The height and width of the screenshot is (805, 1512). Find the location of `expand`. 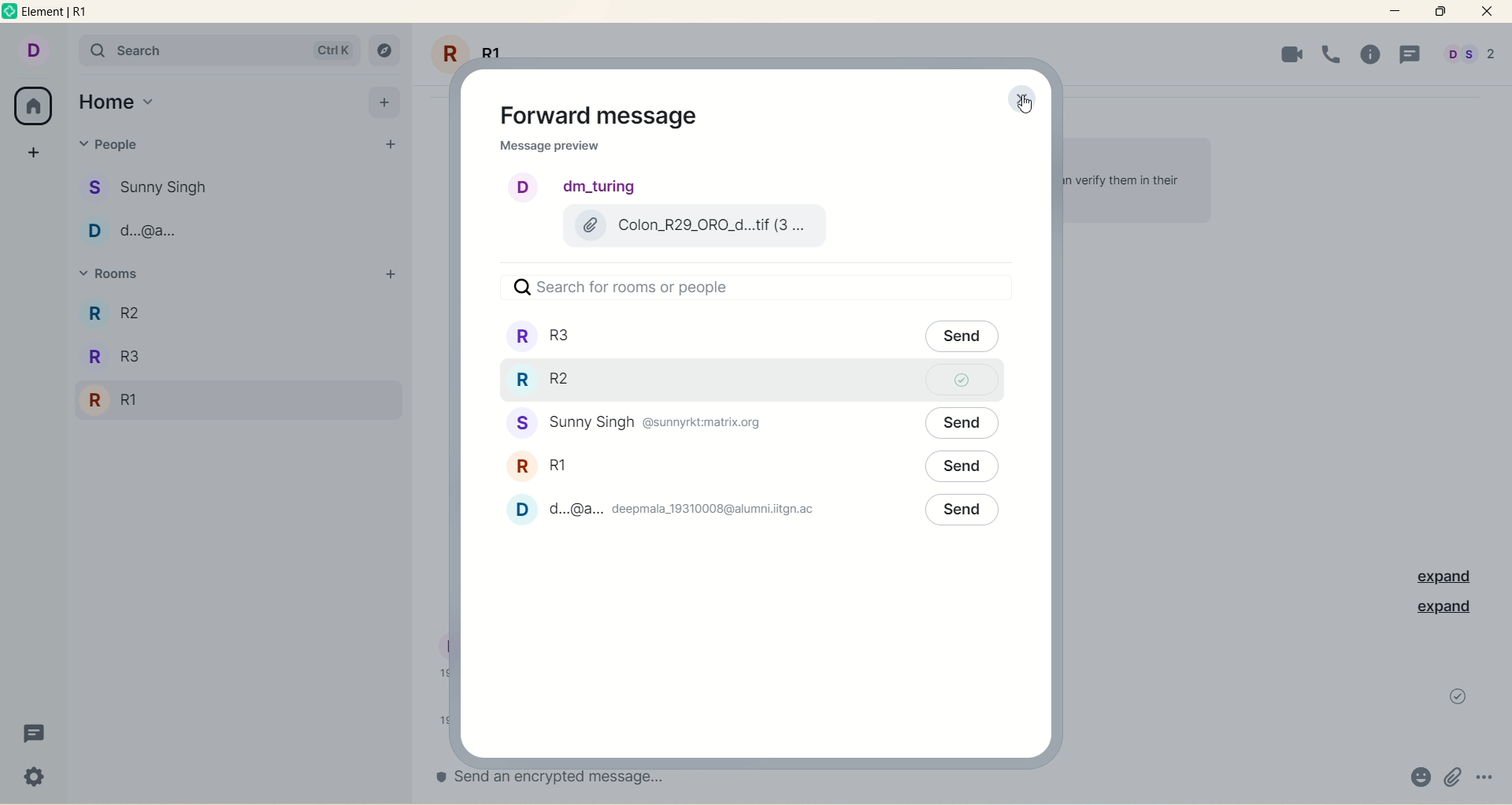

expand is located at coordinates (1438, 577).